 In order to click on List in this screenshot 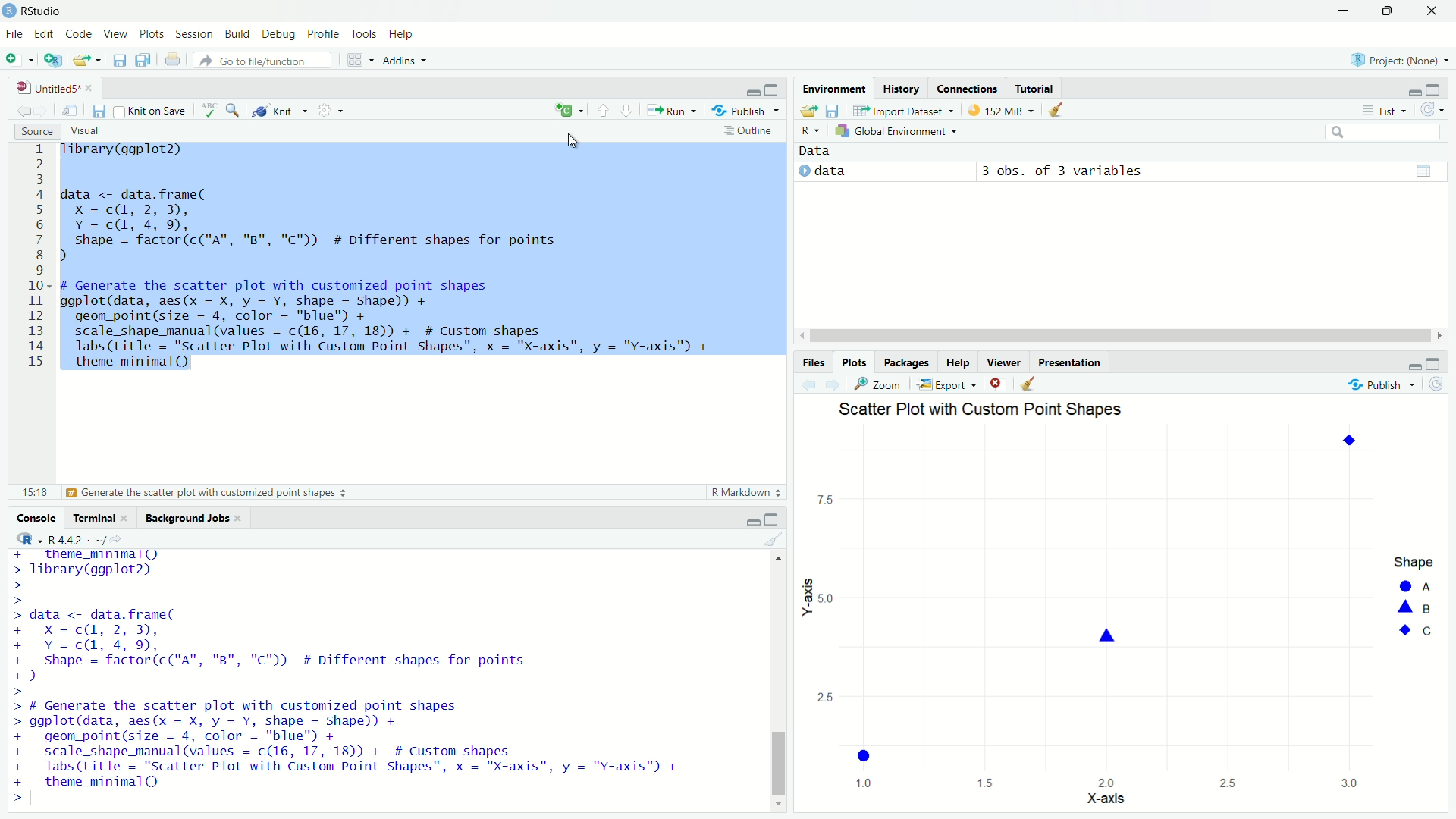, I will do `click(1382, 109)`.